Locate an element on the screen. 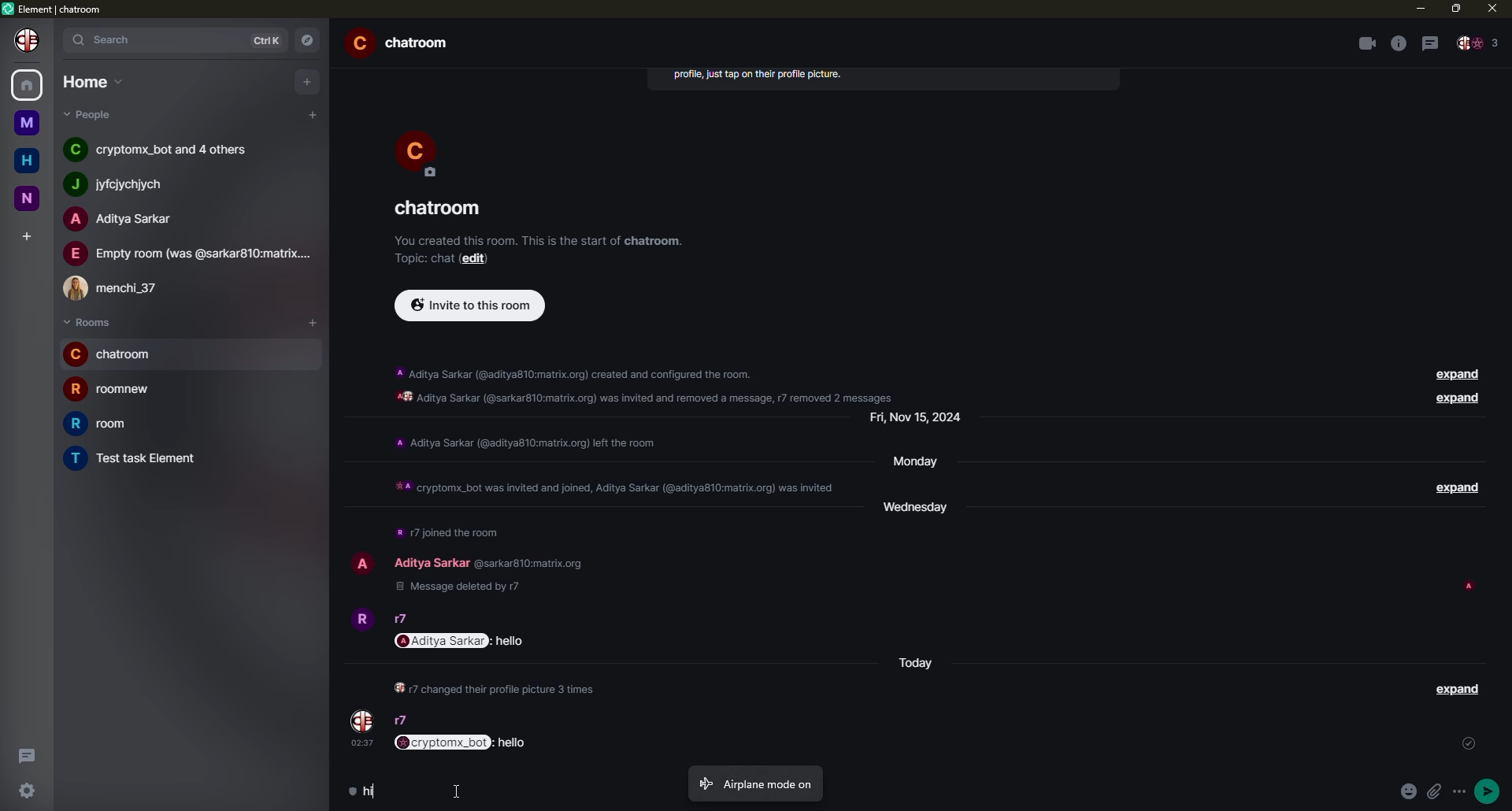 The width and height of the screenshot is (1512, 811). sent is located at coordinates (1469, 743).